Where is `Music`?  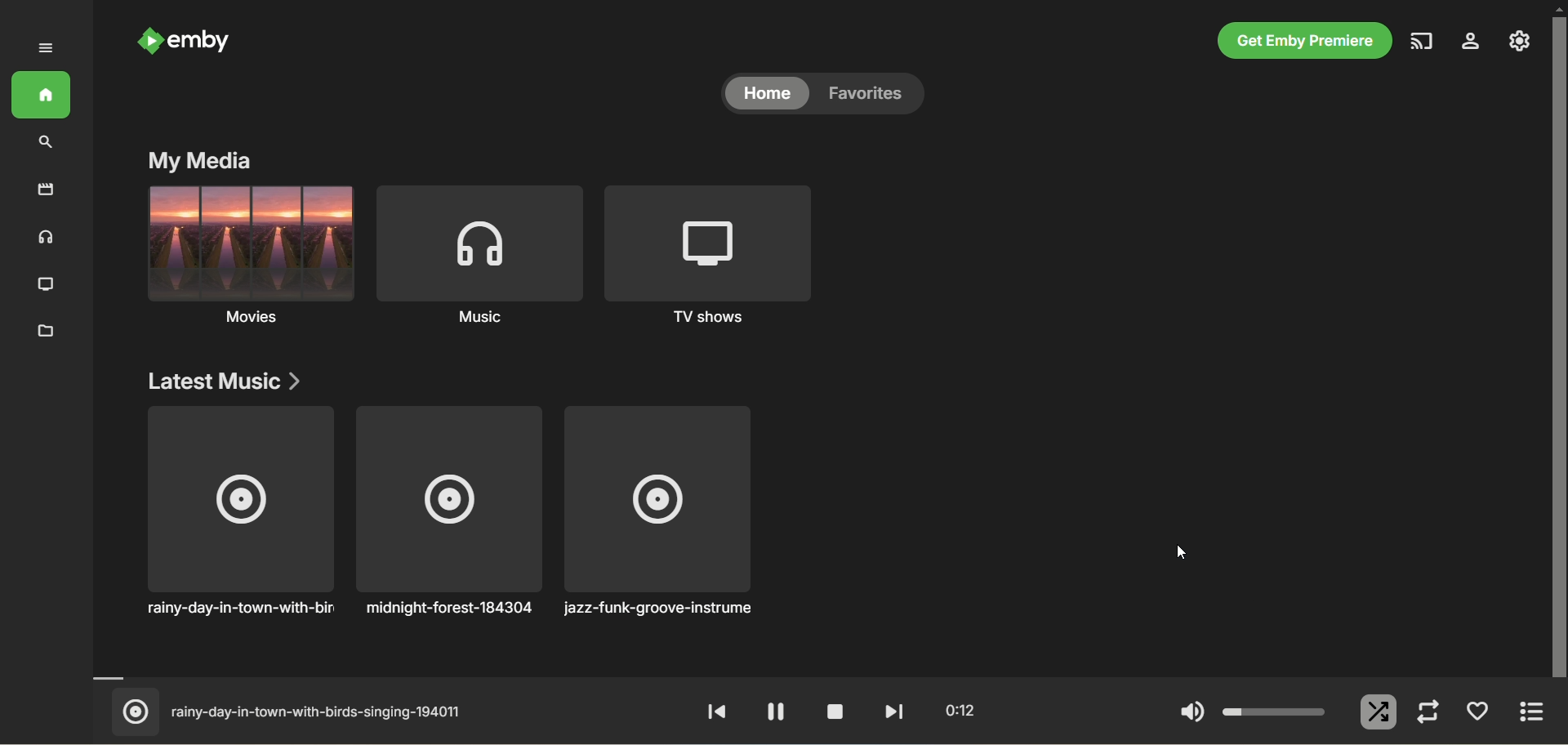
Music is located at coordinates (479, 254).